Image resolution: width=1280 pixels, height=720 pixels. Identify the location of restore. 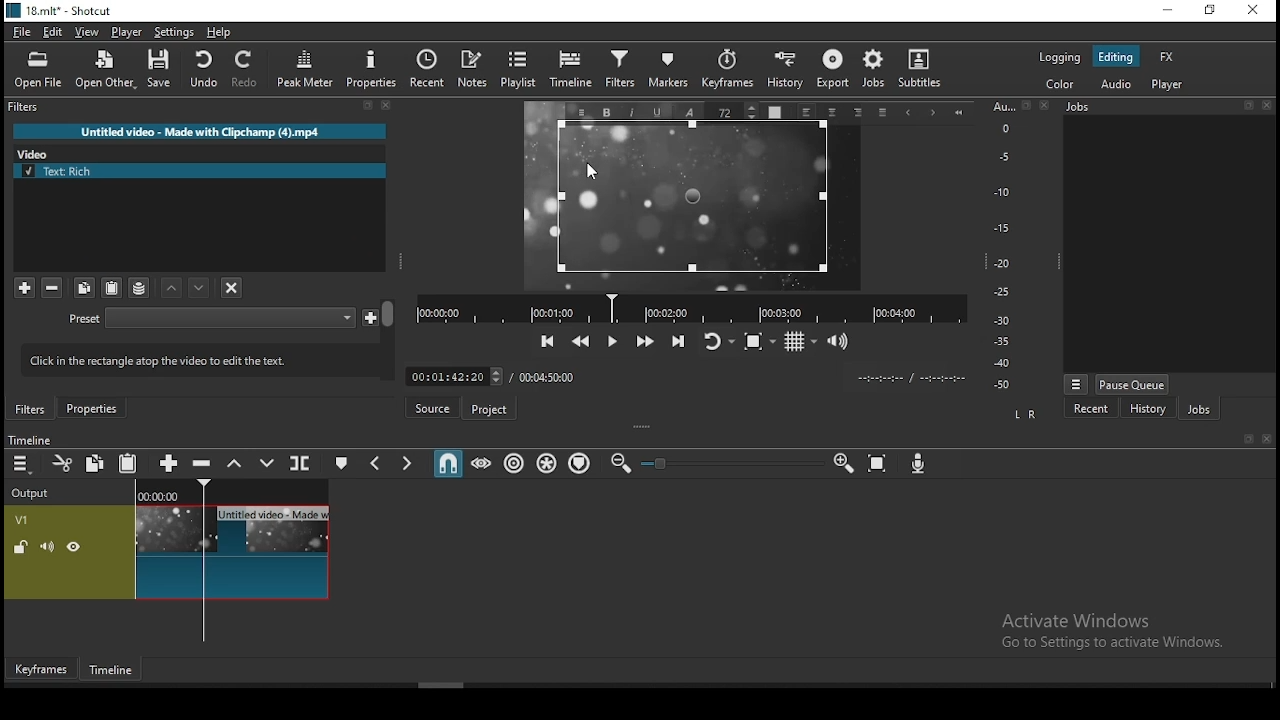
(1212, 9).